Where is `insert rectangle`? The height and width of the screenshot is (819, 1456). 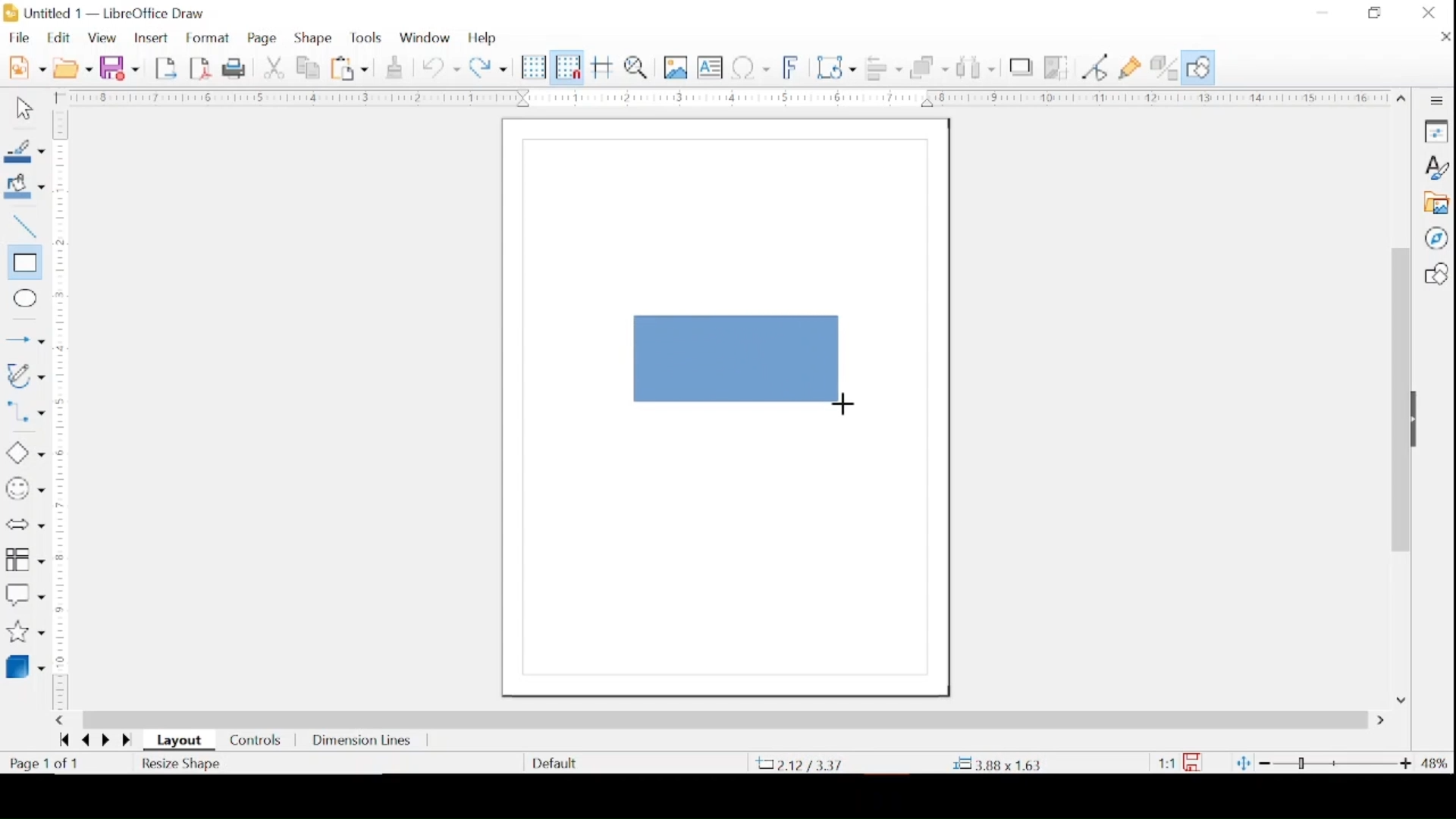 insert rectangle is located at coordinates (23, 263).